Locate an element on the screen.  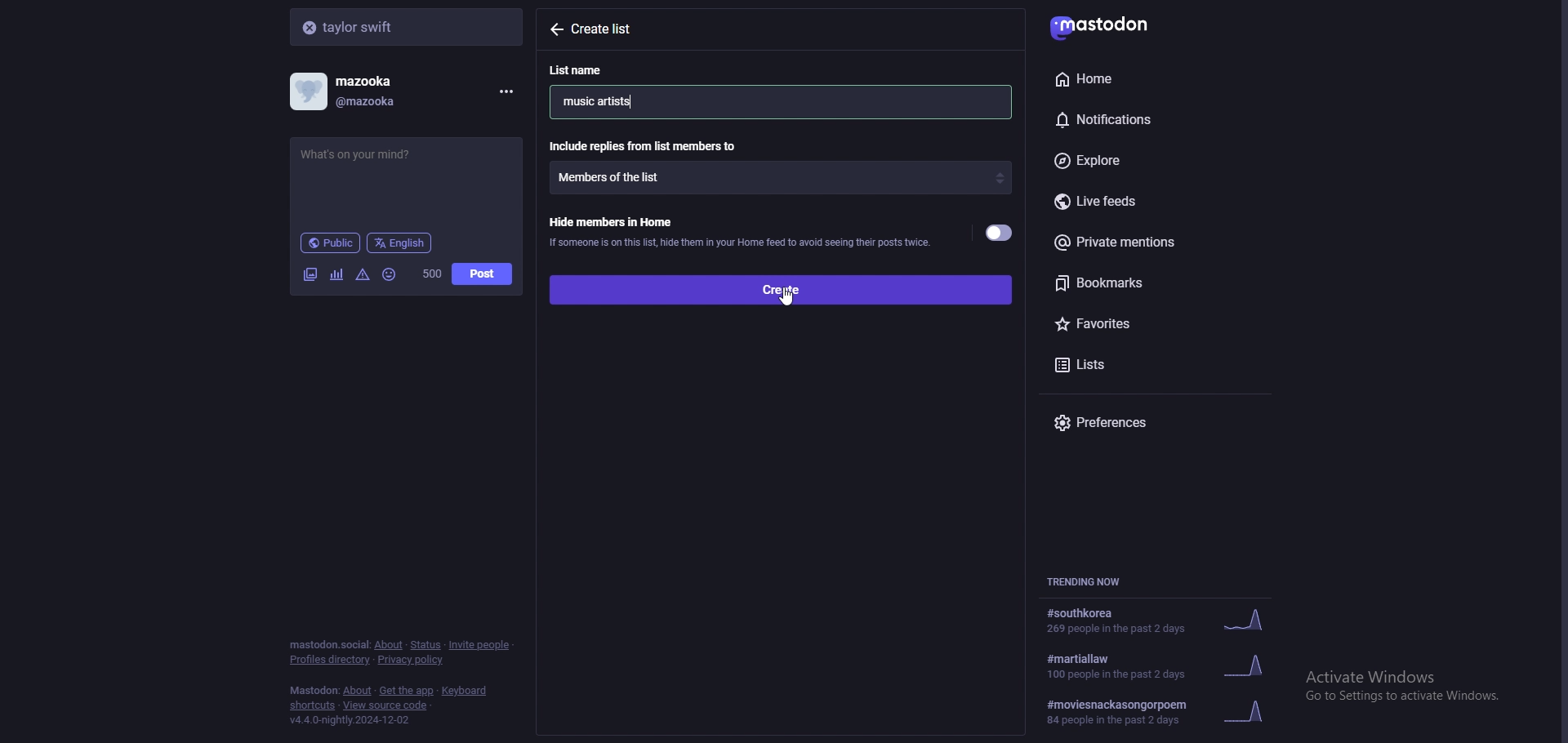
include replies from list members to is located at coordinates (646, 145).